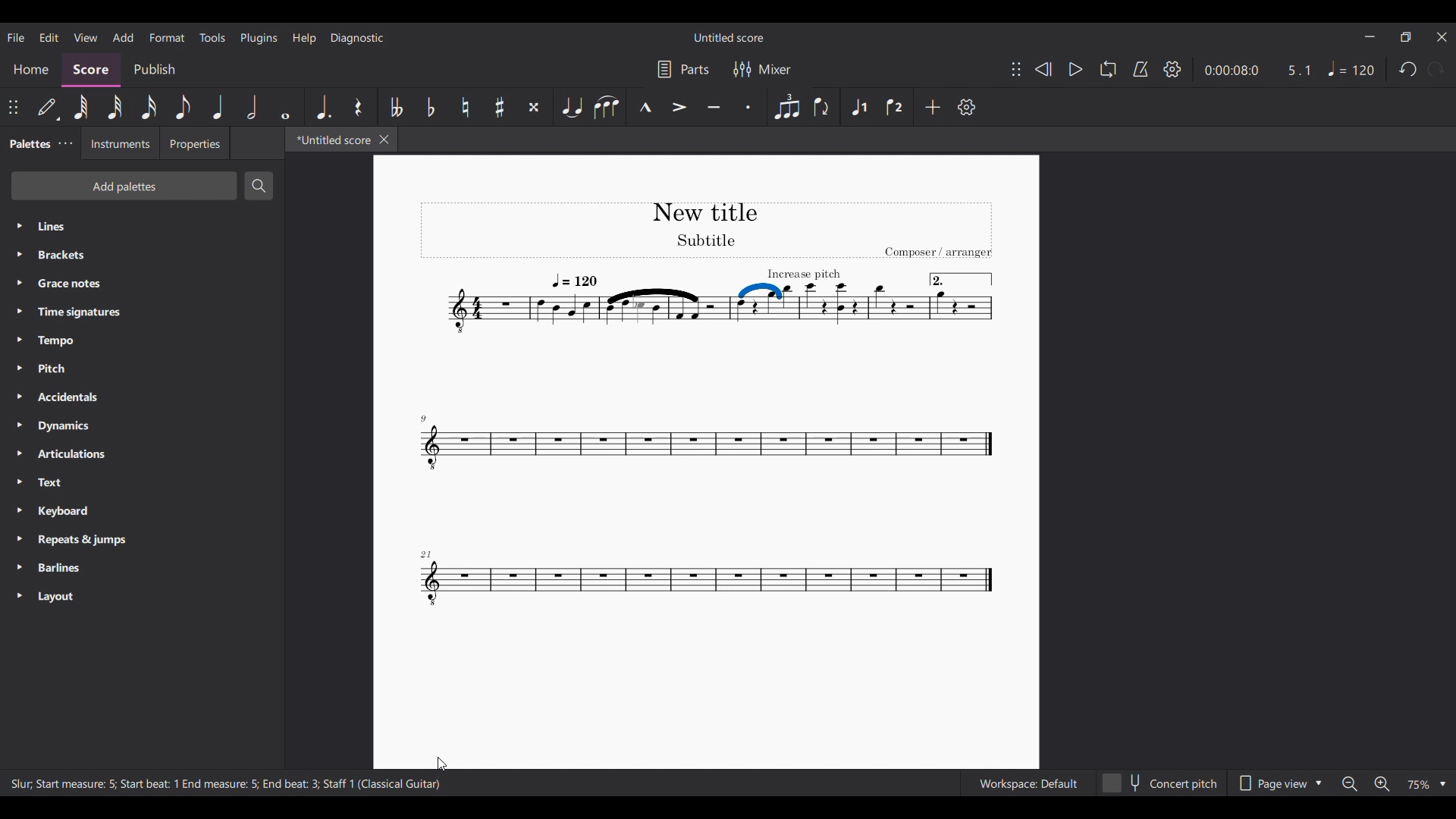  I want to click on Half note, so click(250, 107).